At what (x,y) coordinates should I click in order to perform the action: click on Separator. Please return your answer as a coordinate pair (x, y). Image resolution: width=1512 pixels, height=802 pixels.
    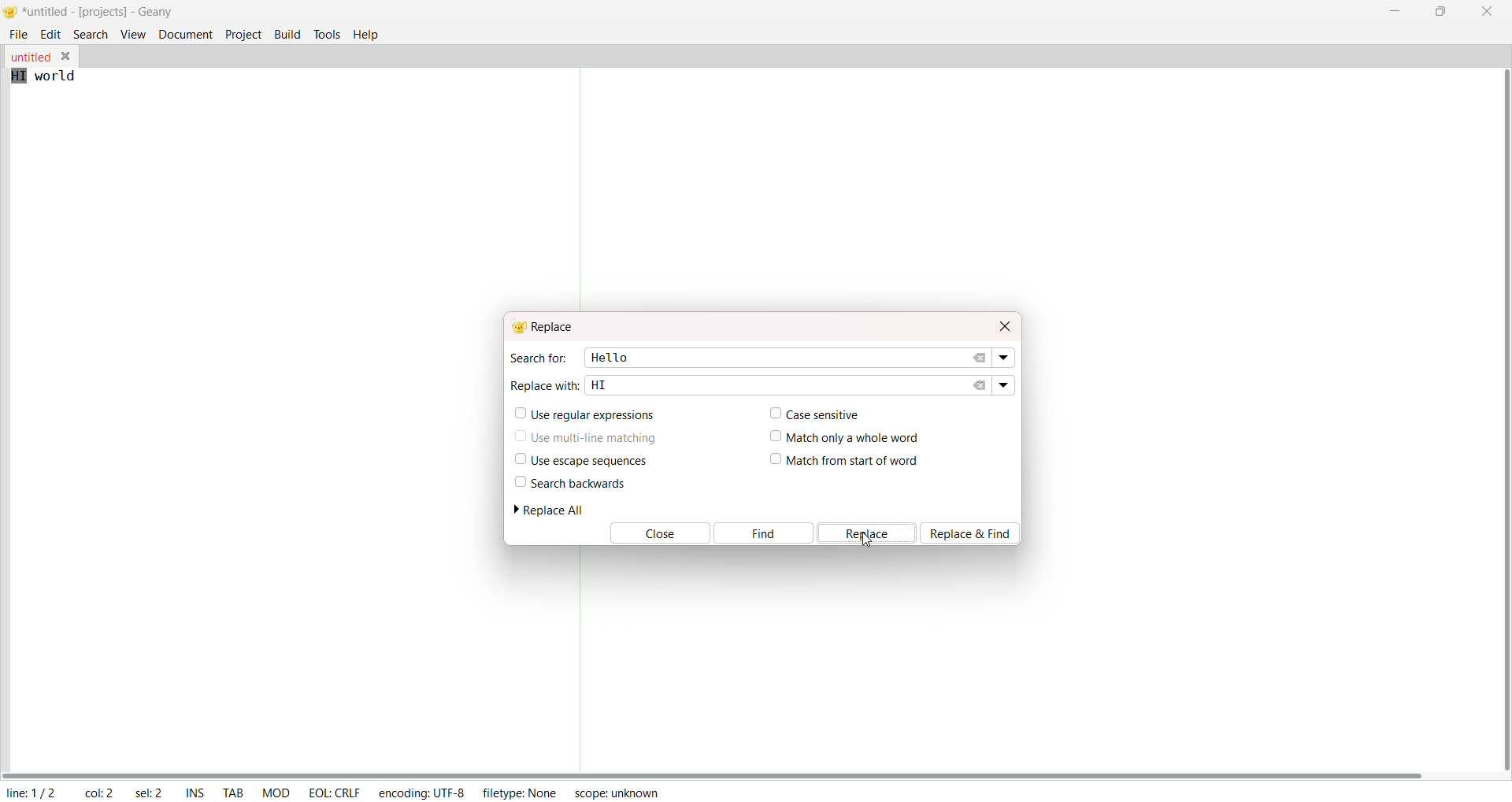
    Looking at the image, I should click on (580, 659).